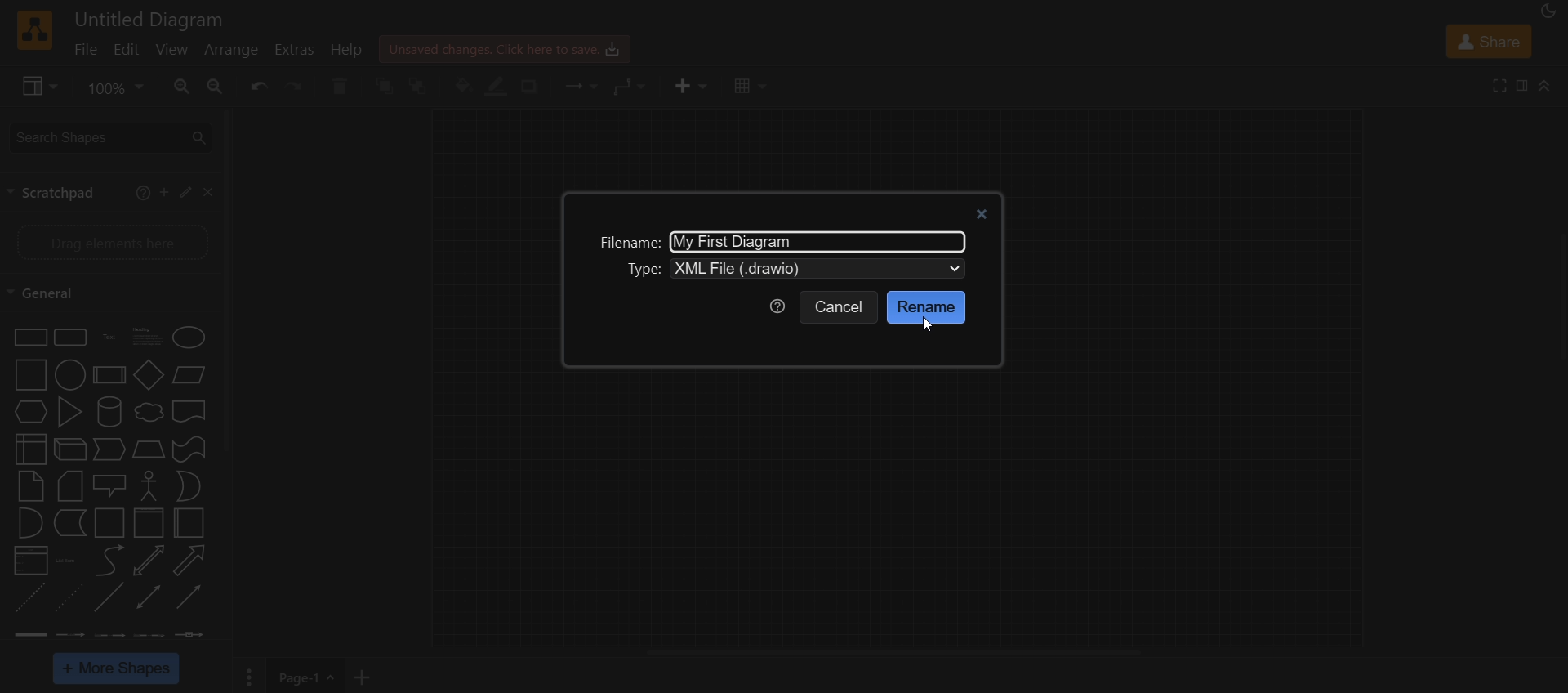 The height and width of the screenshot is (693, 1568). Describe the element at coordinates (577, 85) in the screenshot. I see `connection` at that location.